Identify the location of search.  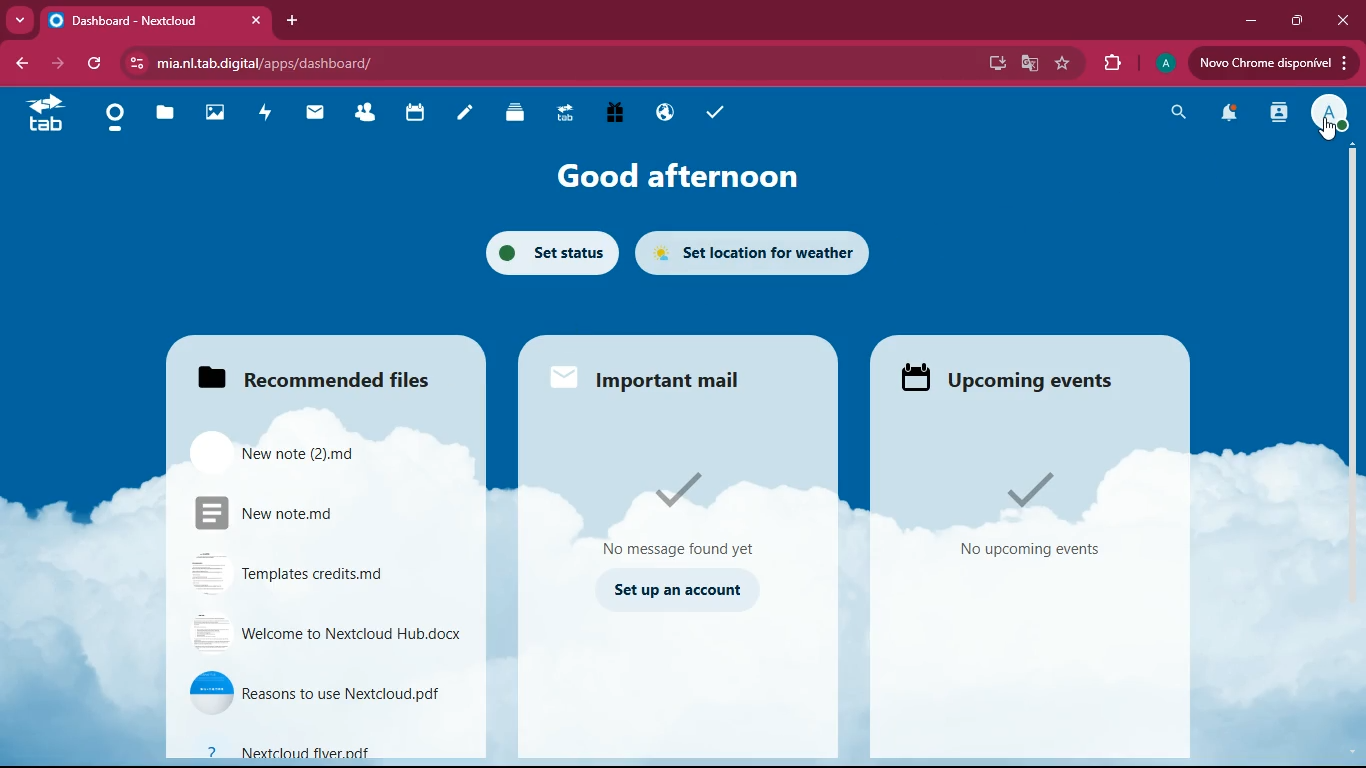
(1175, 114).